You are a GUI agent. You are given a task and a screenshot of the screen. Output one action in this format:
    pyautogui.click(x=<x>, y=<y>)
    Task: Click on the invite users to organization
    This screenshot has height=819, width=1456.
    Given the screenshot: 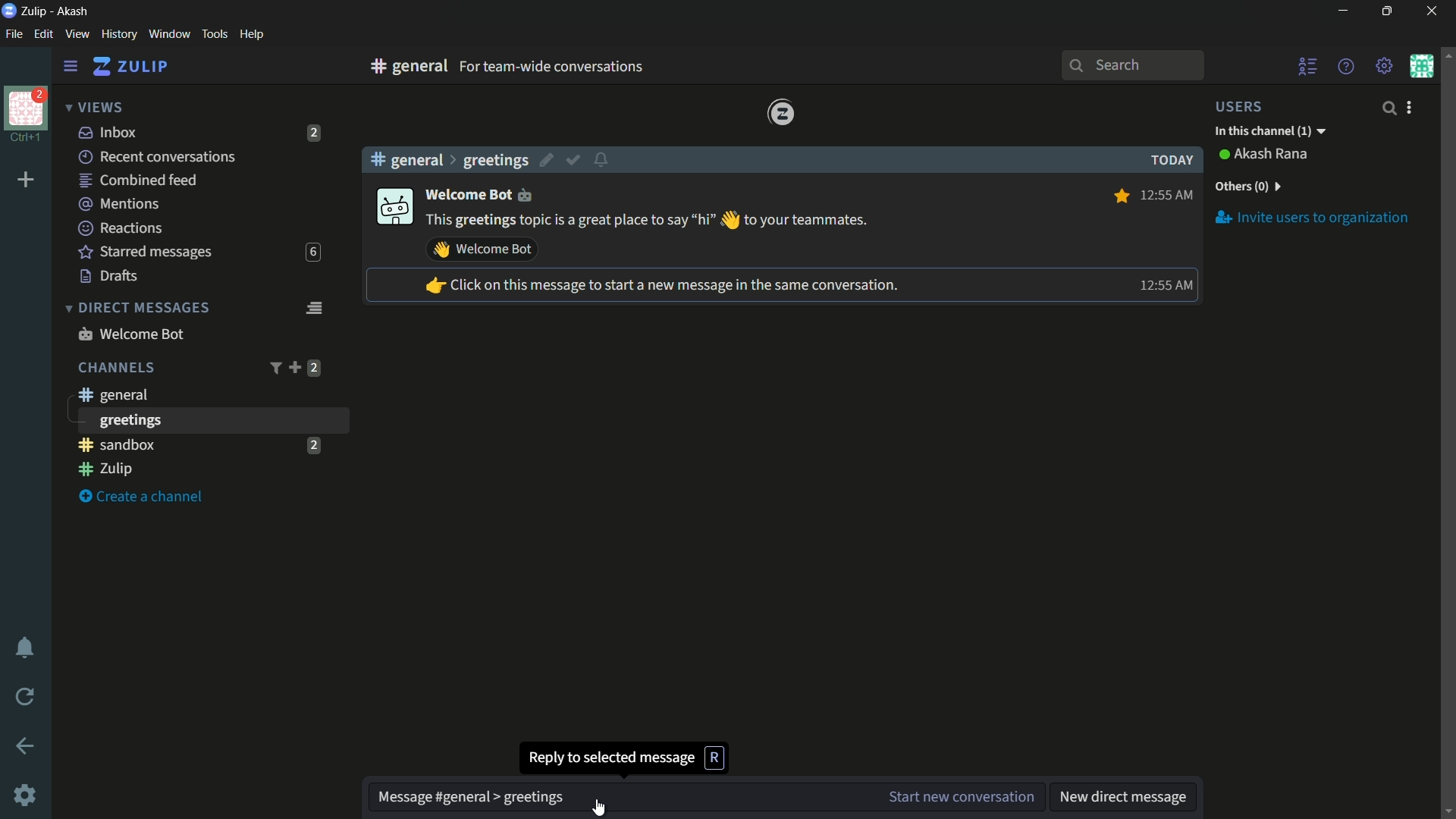 What is the action you would take?
    pyautogui.click(x=1313, y=217)
    